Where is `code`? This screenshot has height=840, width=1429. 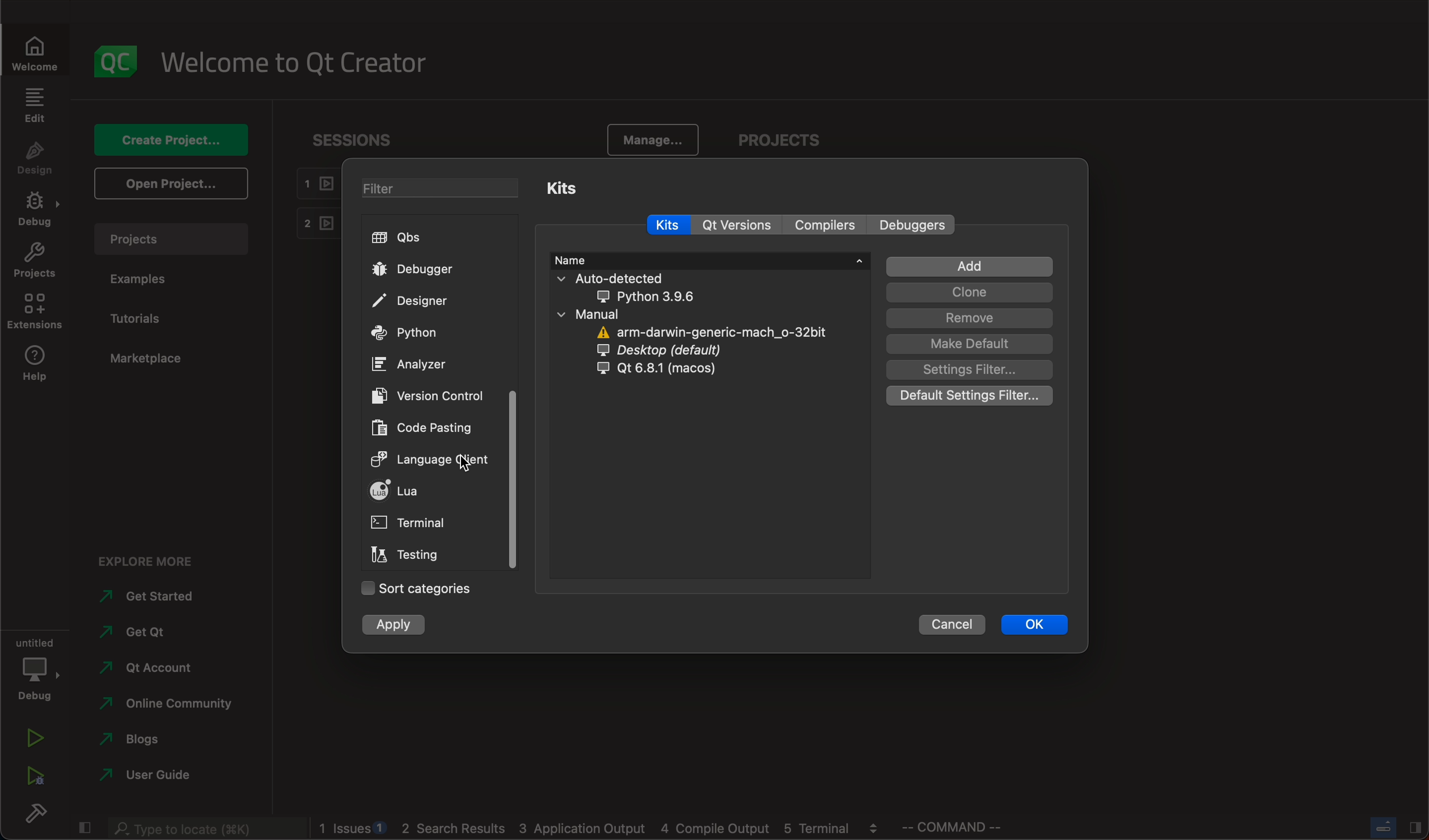 code is located at coordinates (425, 427).